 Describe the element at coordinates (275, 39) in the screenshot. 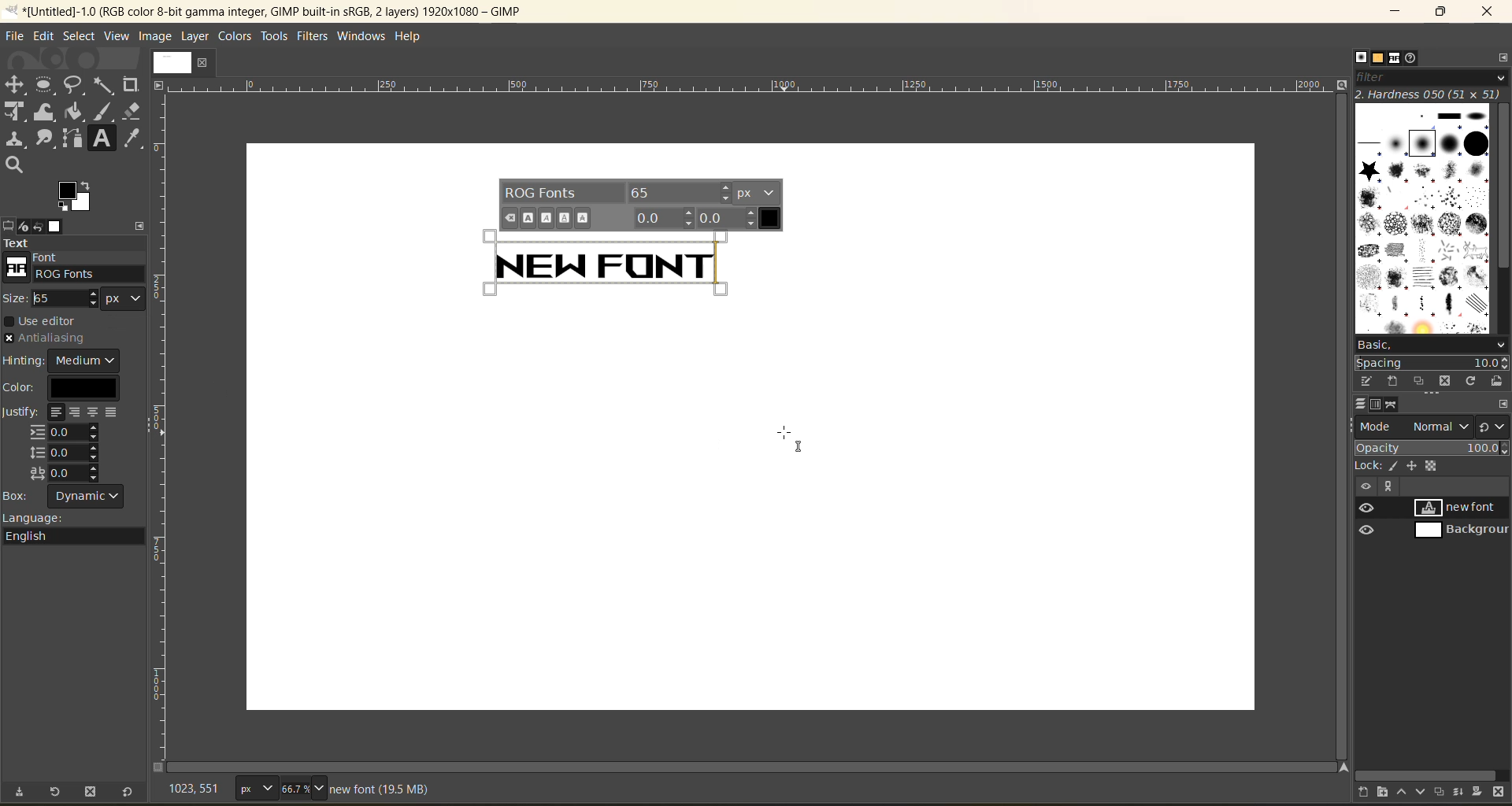

I see `tools` at that location.